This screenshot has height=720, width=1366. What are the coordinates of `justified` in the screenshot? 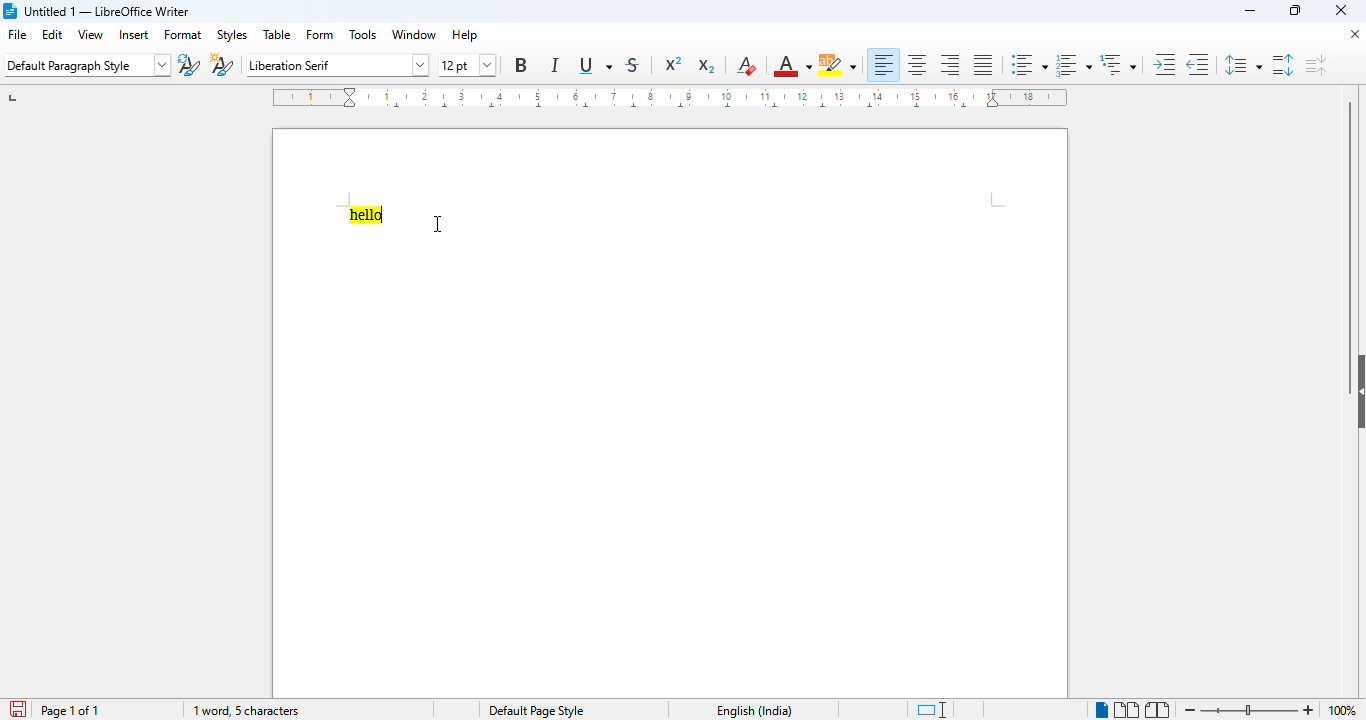 It's located at (984, 65).